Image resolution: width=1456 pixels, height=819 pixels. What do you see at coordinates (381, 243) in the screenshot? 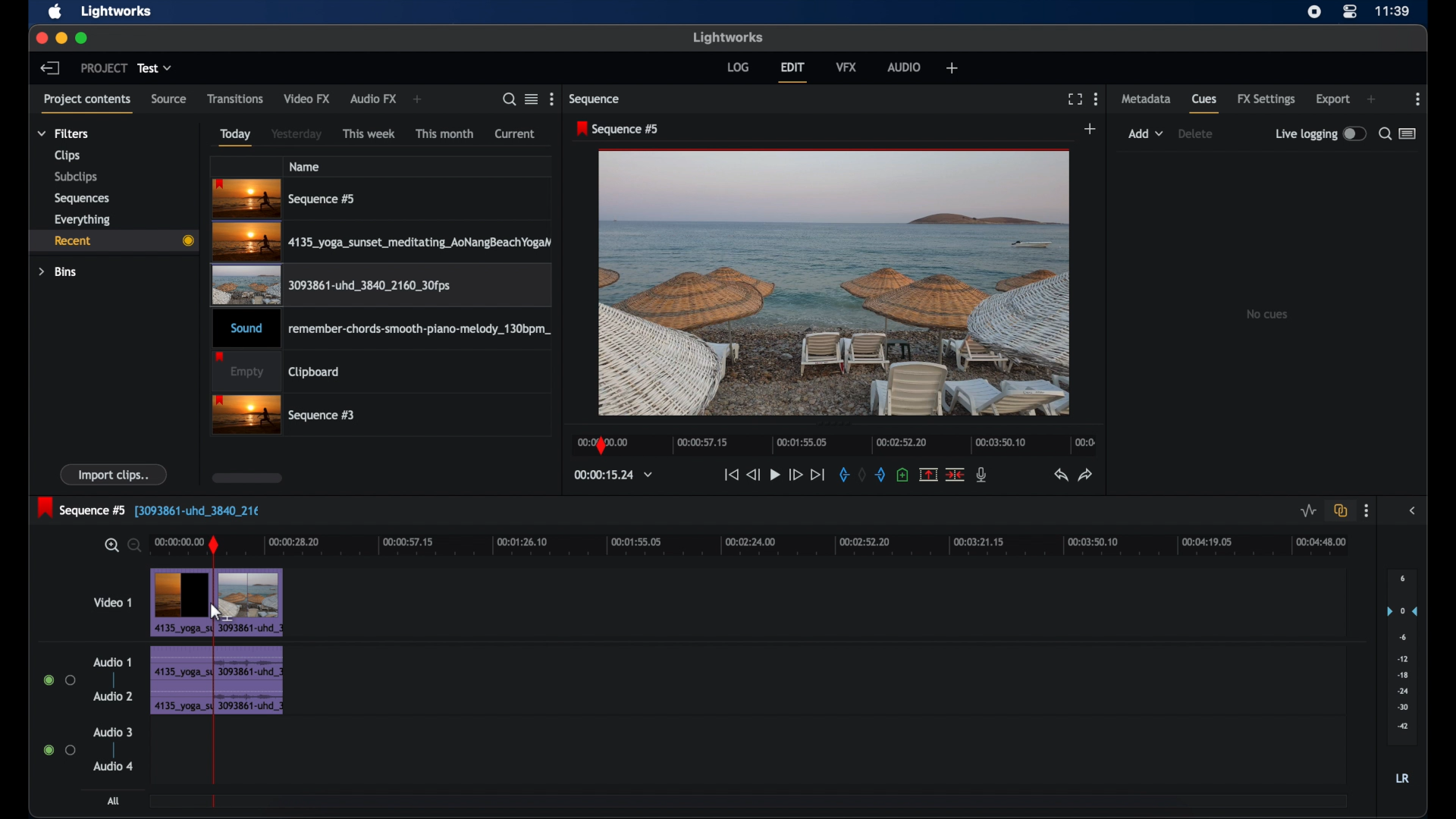
I see `video clip` at bounding box center [381, 243].